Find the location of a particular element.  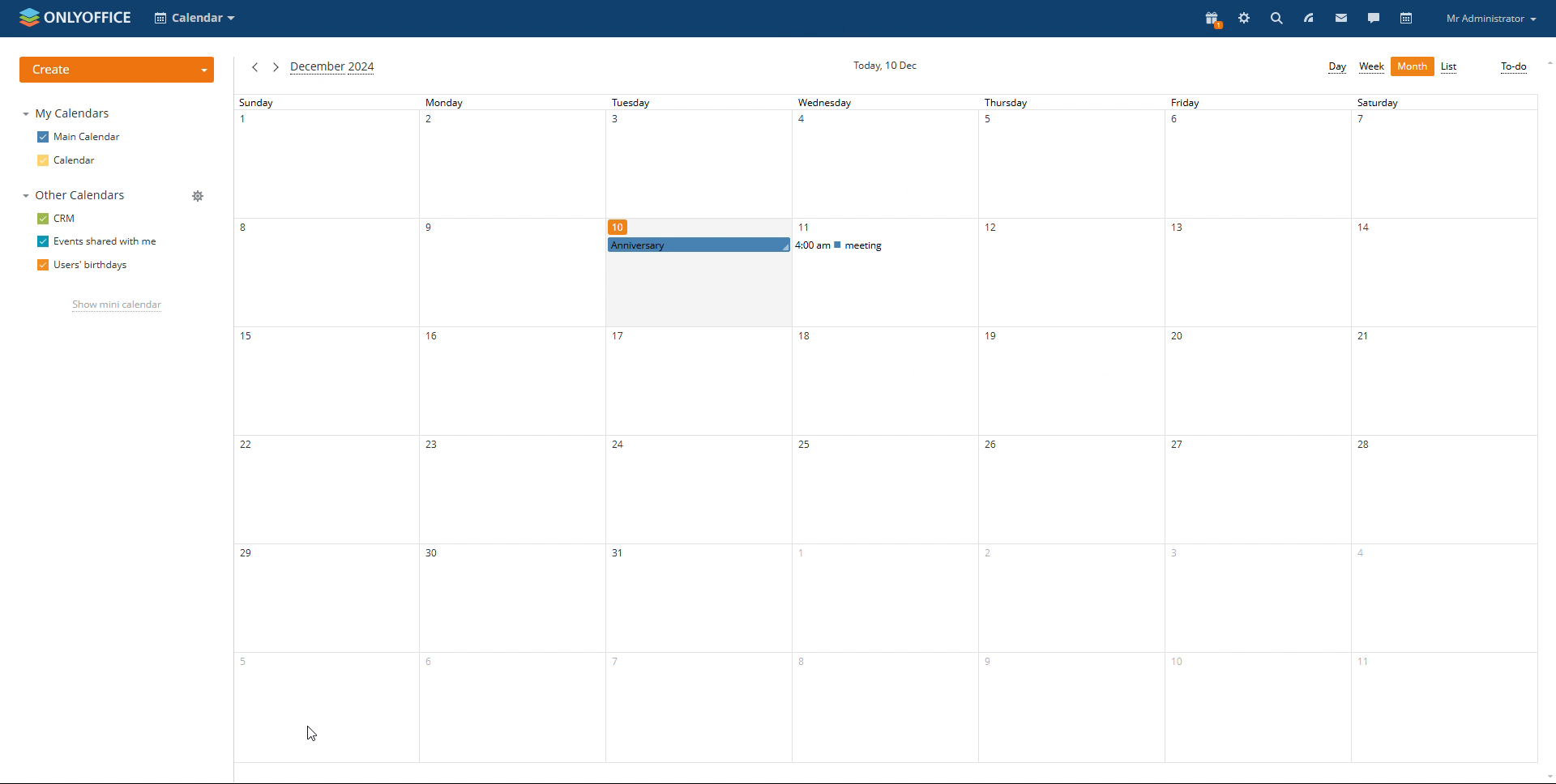

profile is located at coordinates (1494, 19).